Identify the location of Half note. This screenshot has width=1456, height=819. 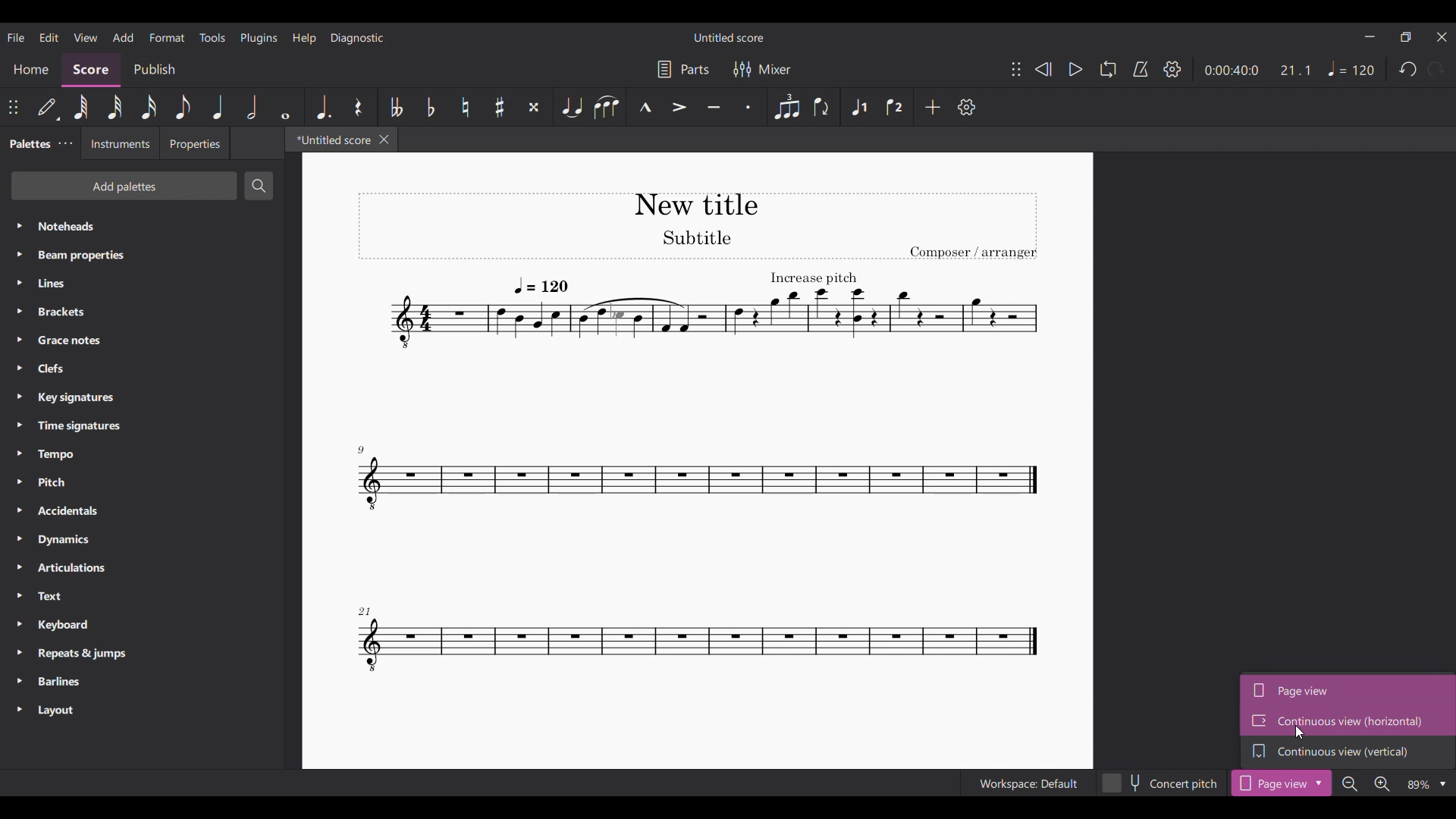
(252, 106).